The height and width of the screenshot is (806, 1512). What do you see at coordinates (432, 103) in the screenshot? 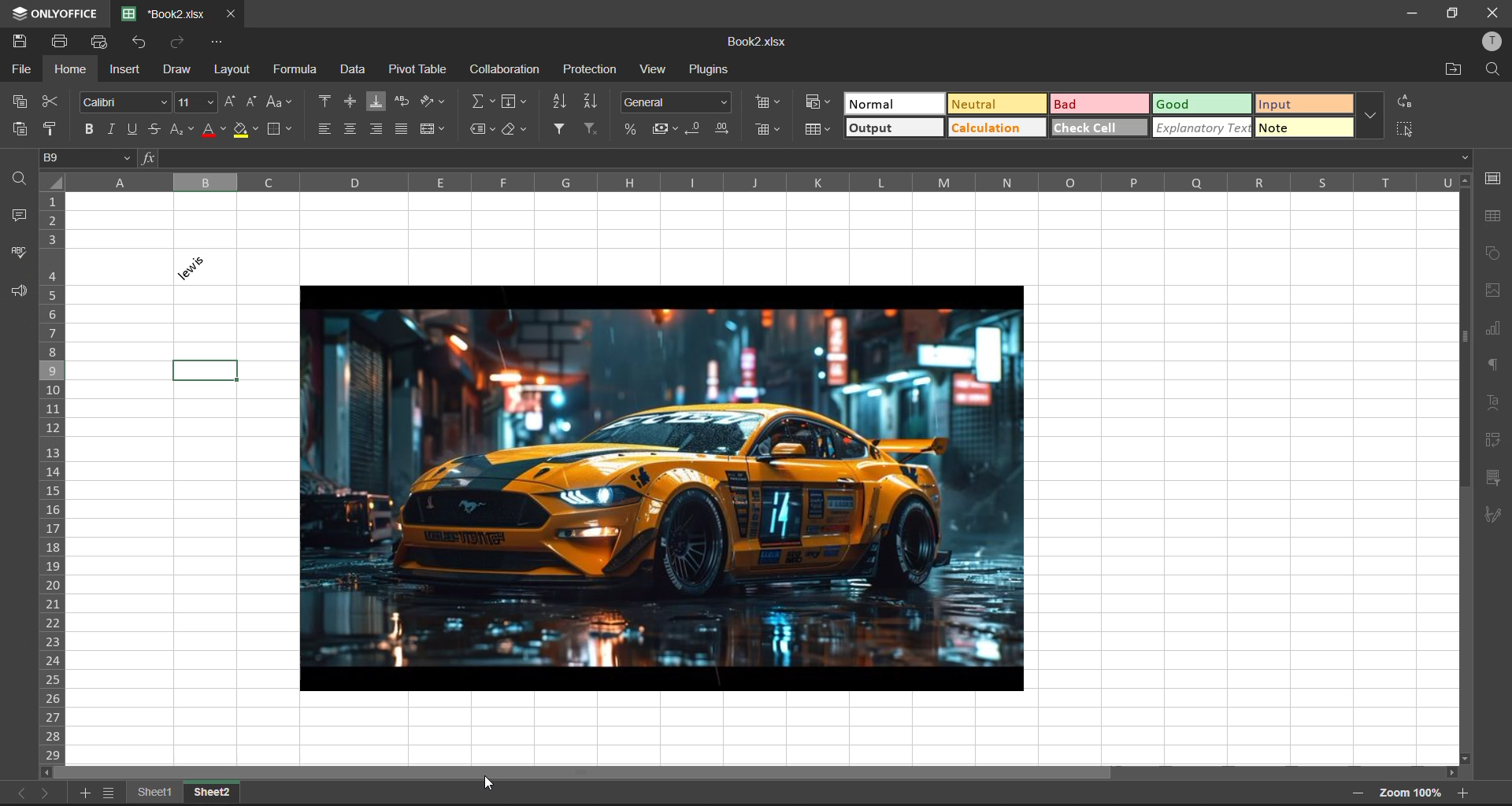
I see `orientation` at bounding box center [432, 103].